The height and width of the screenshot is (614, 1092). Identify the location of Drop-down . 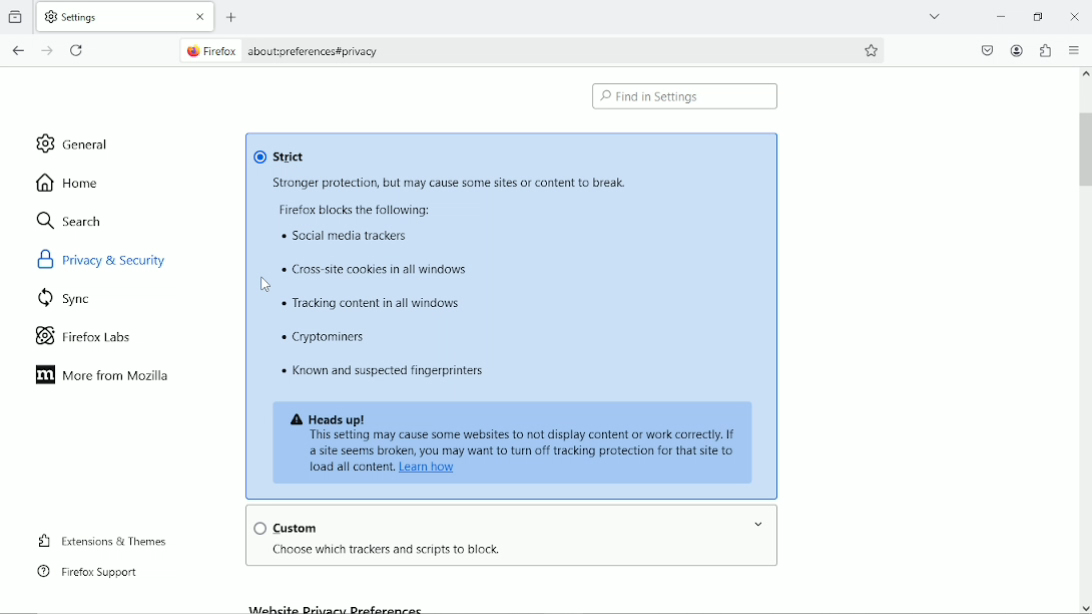
(759, 524).